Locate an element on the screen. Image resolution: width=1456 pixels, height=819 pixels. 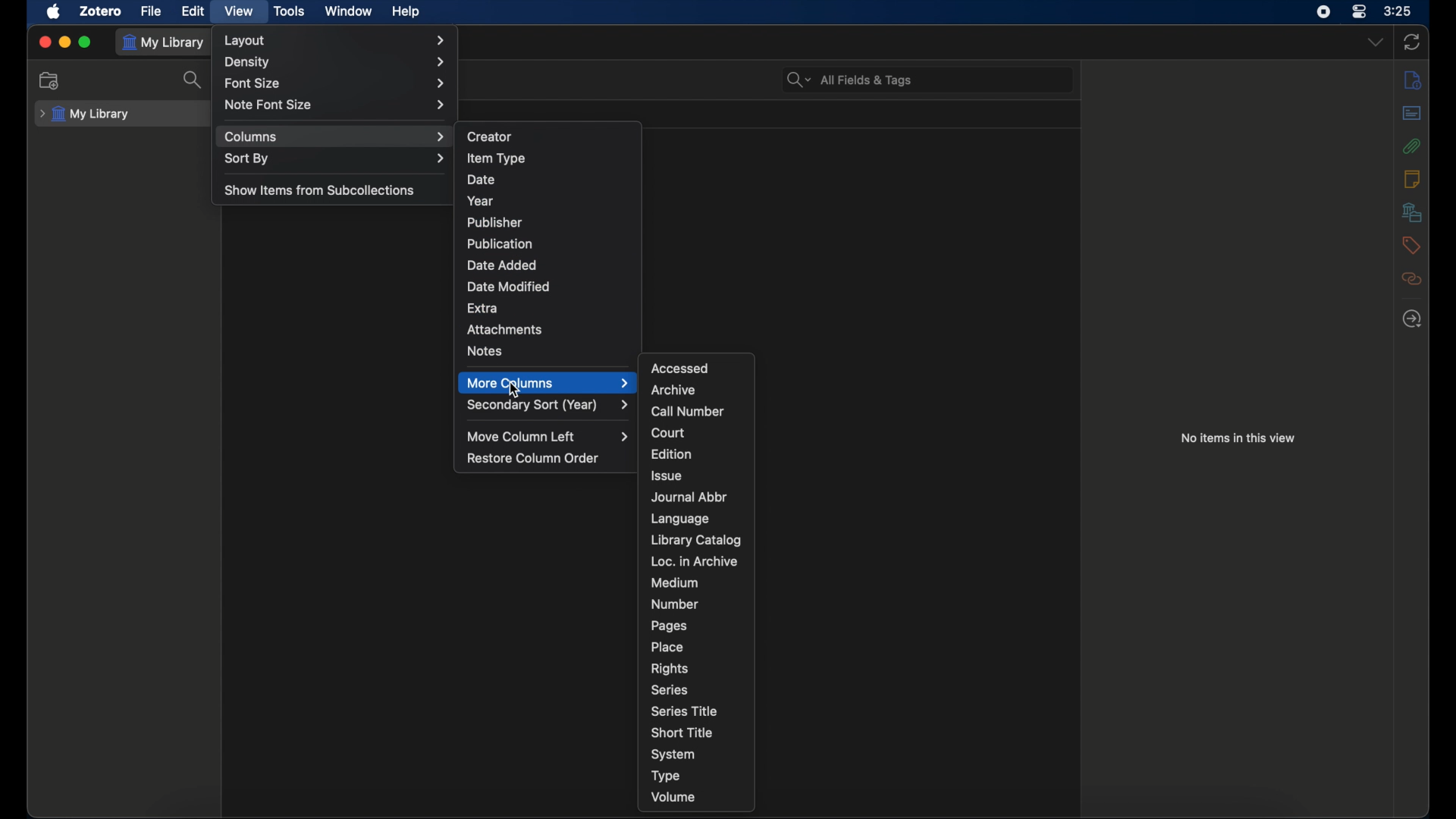
file is located at coordinates (150, 11).